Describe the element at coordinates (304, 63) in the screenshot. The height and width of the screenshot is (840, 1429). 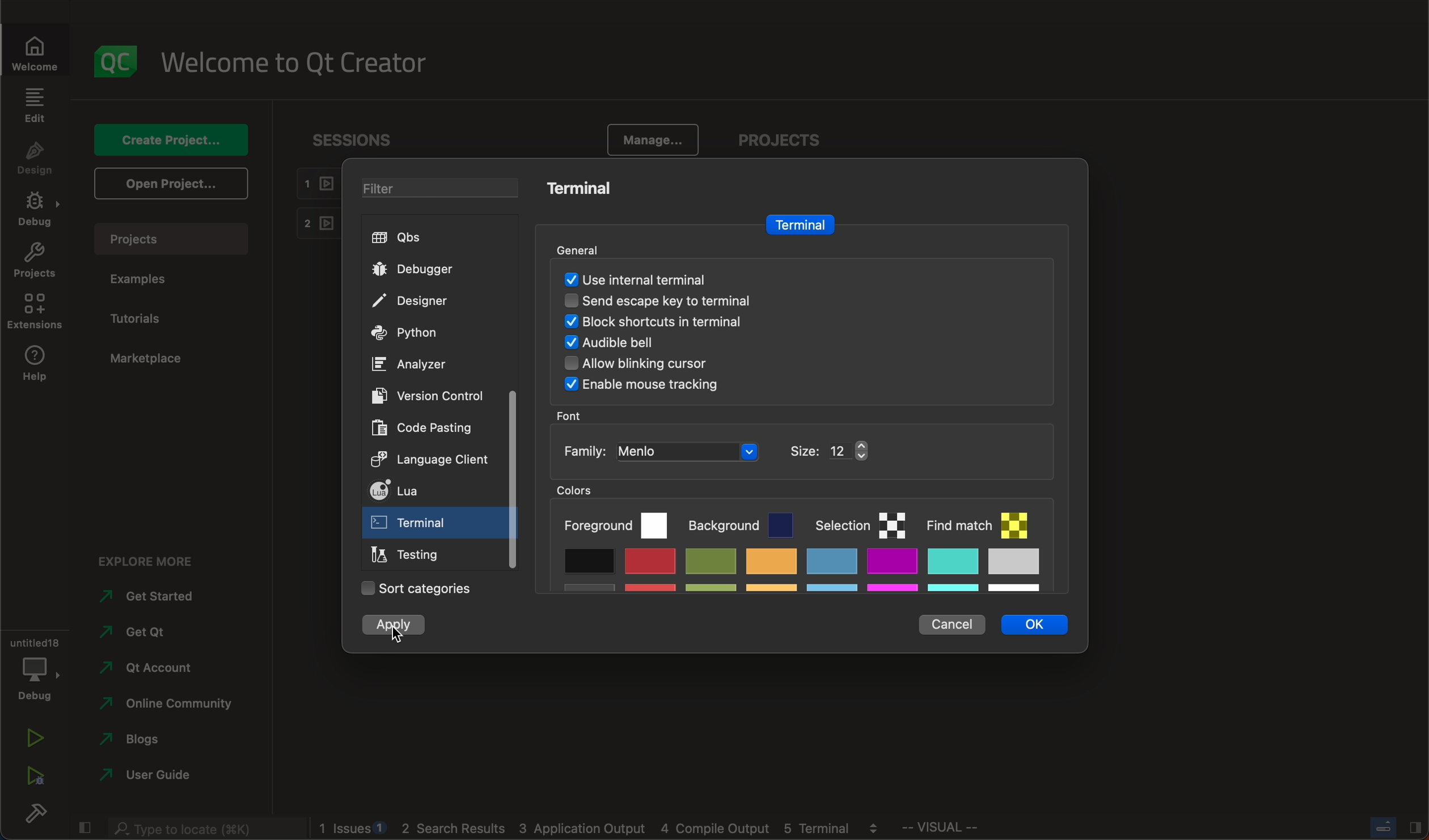
I see `welcome ` at that location.